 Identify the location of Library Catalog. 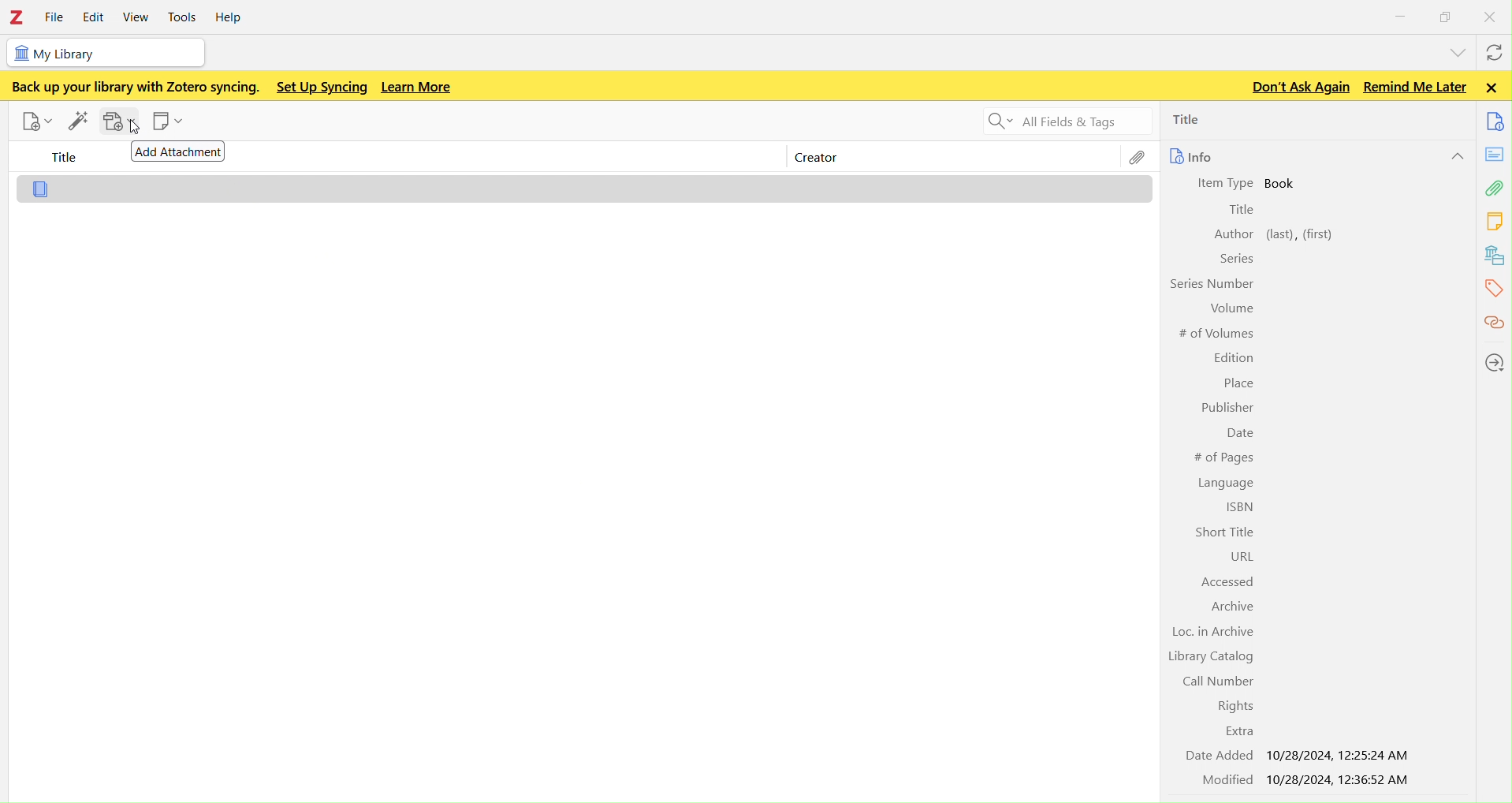
(1208, 657).